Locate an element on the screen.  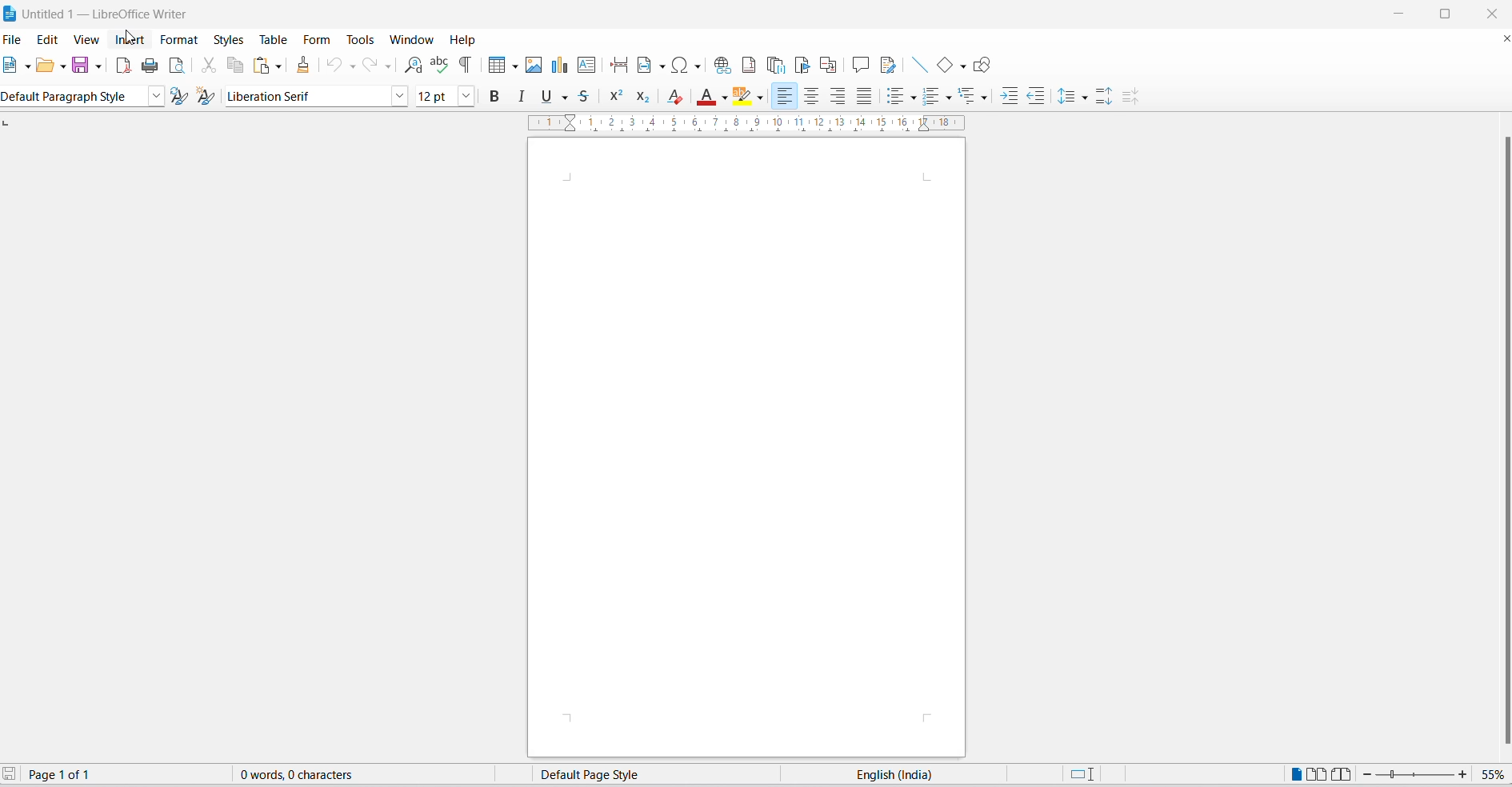
minimize is located at coordinates (1404, 14).